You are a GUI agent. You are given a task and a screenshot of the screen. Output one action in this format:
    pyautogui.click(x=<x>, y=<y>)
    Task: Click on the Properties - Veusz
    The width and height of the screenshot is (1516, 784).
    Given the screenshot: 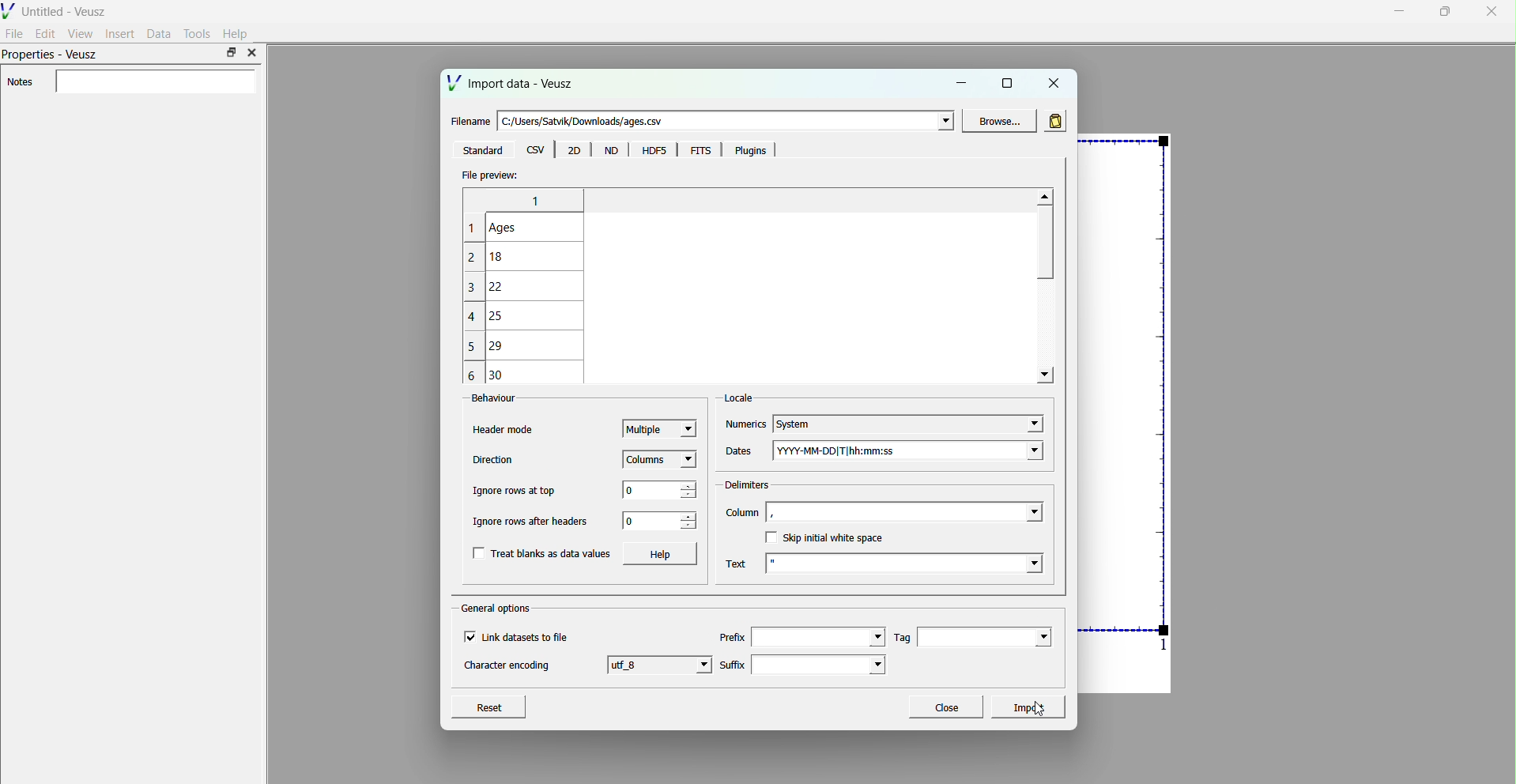 What is the action you would take?
    pyautogui.click(x=52, y=56)
    